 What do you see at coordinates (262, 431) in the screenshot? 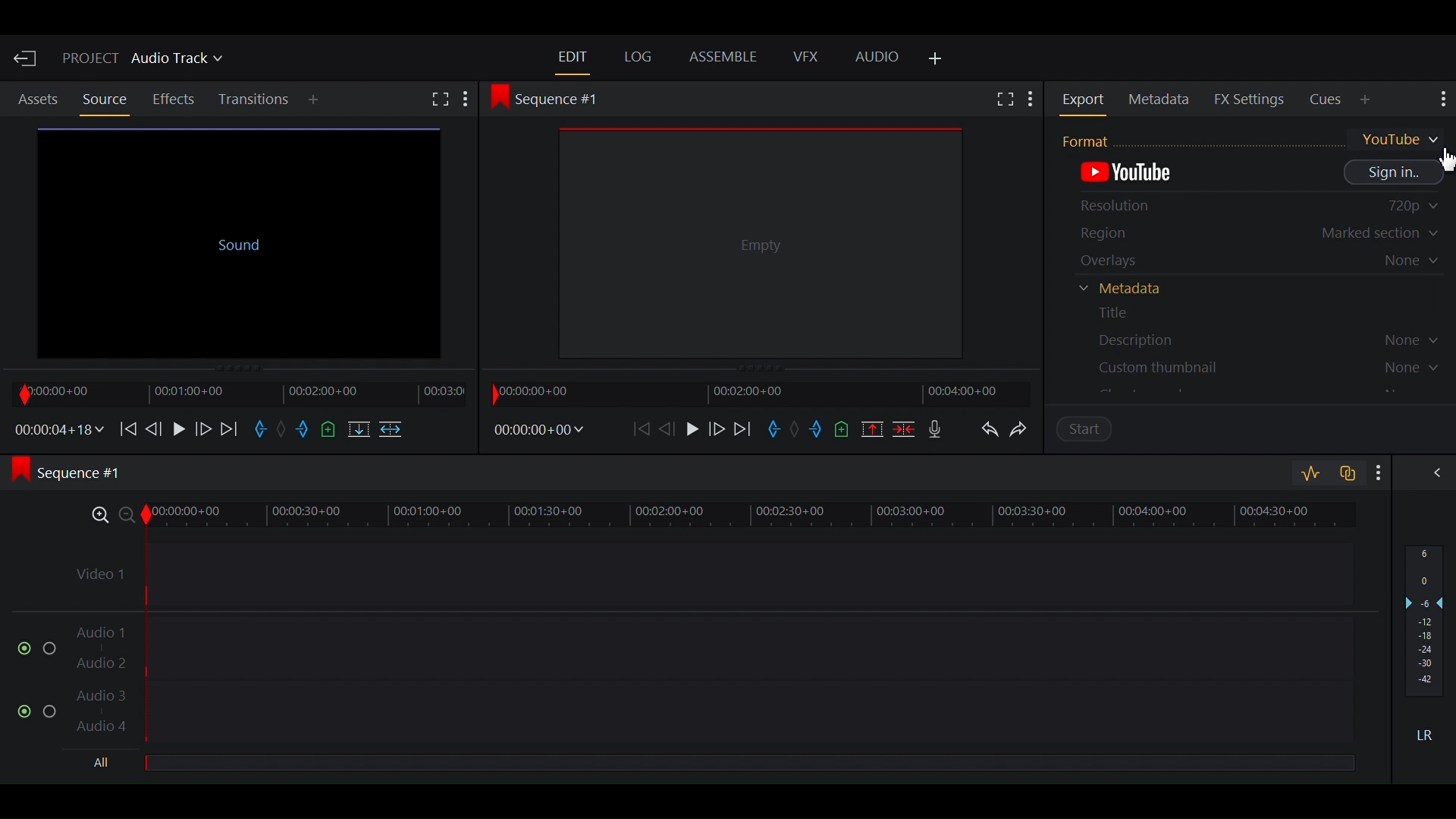
I see `Mark in` at bounding box center [262, 431].